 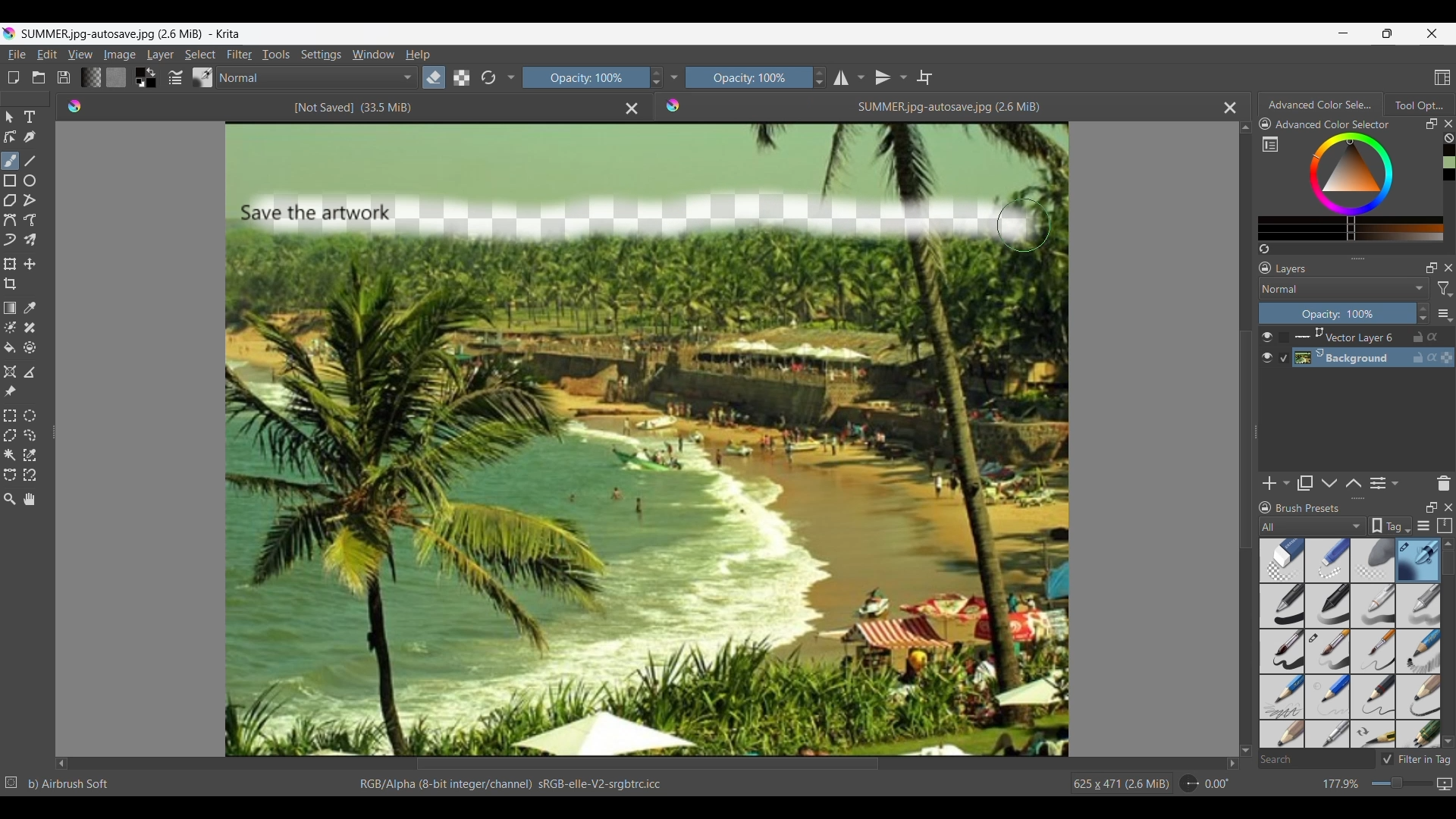 What do you see at coordinates (30, 162) in the screenshot?
I see `Line tool` at bounding box center [30, 162].